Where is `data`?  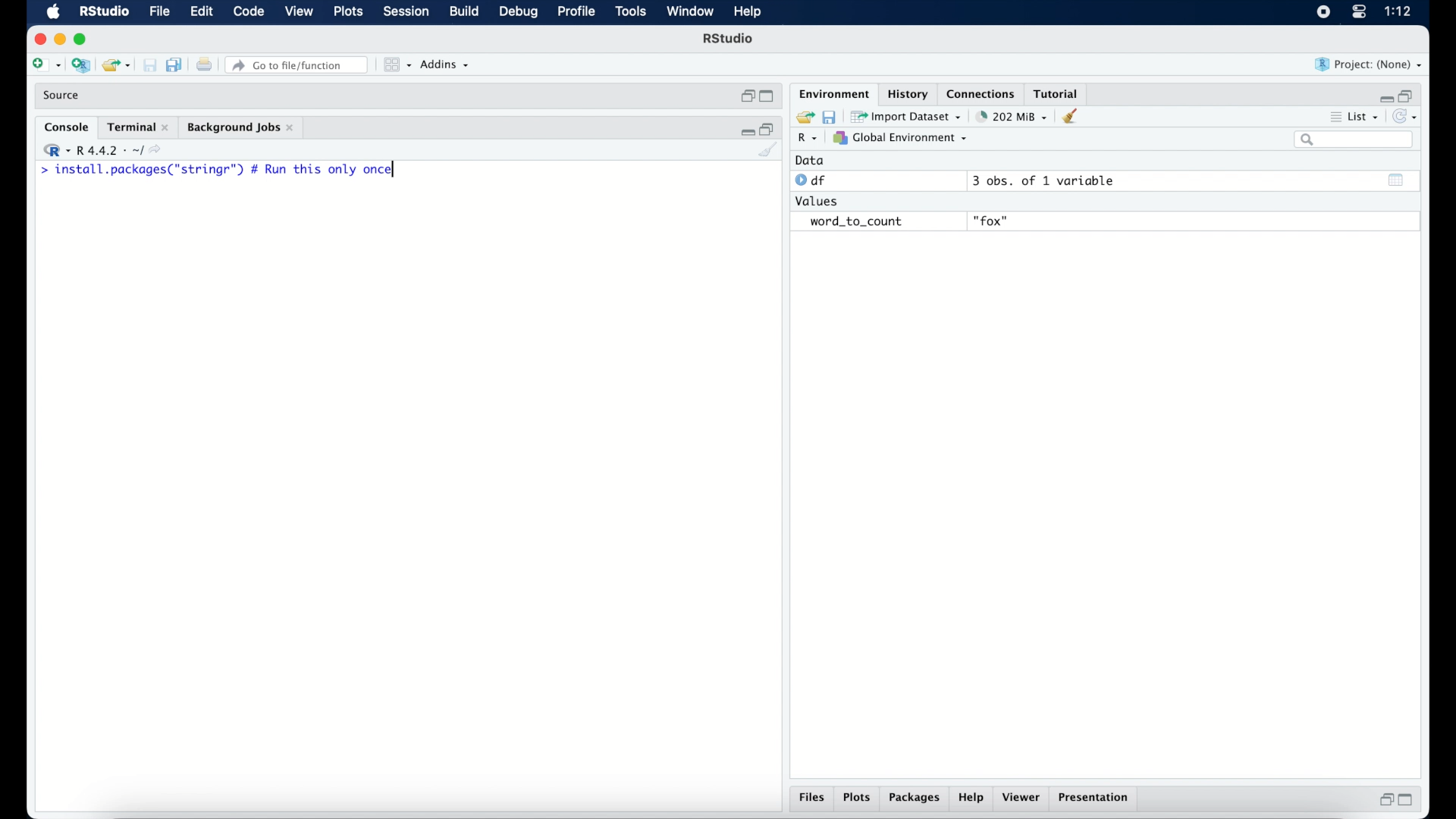 data is located at coordinates (810, 160).